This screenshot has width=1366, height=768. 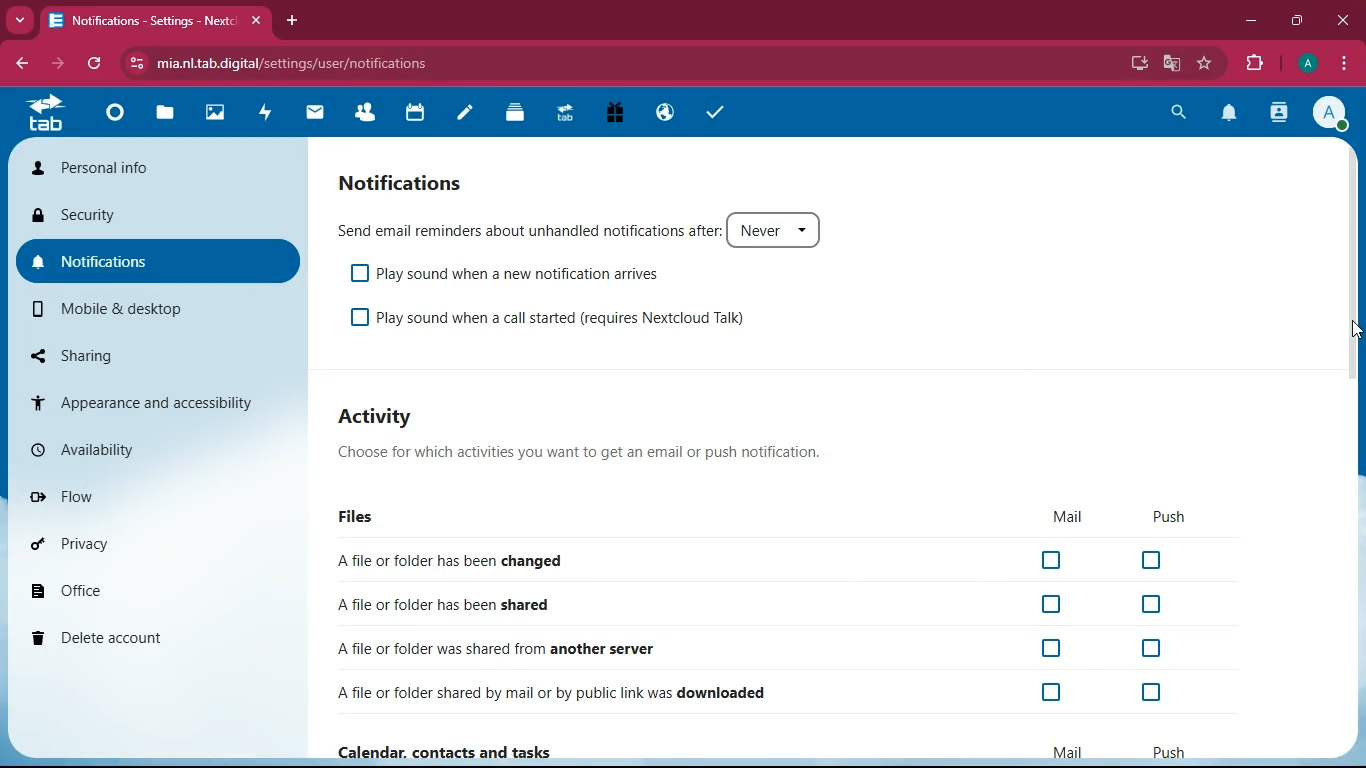 I want to click on sharing, so click(x=161, y=355).